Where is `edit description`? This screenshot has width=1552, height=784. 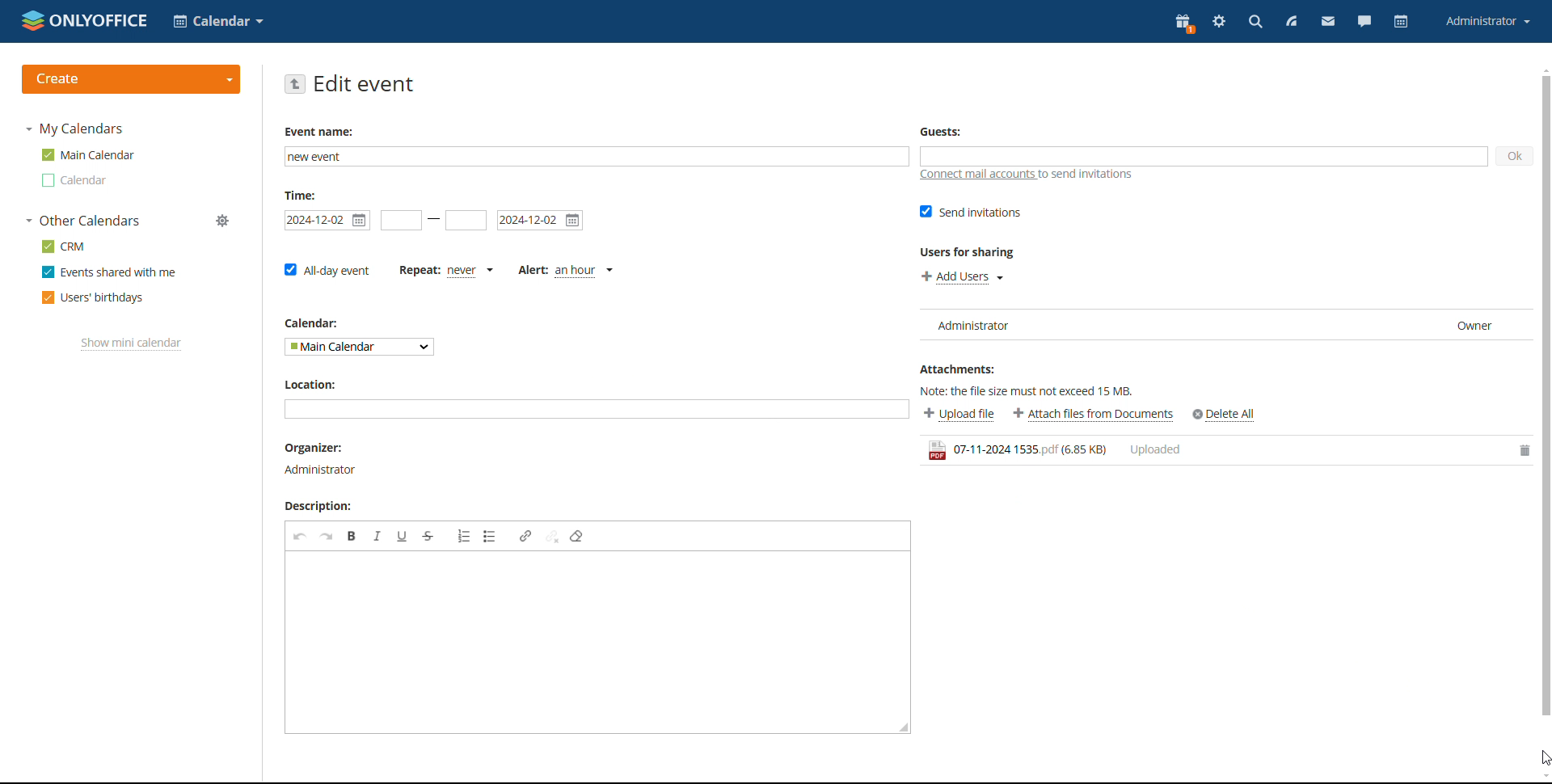
edit description is located at coordinates (589, 643).